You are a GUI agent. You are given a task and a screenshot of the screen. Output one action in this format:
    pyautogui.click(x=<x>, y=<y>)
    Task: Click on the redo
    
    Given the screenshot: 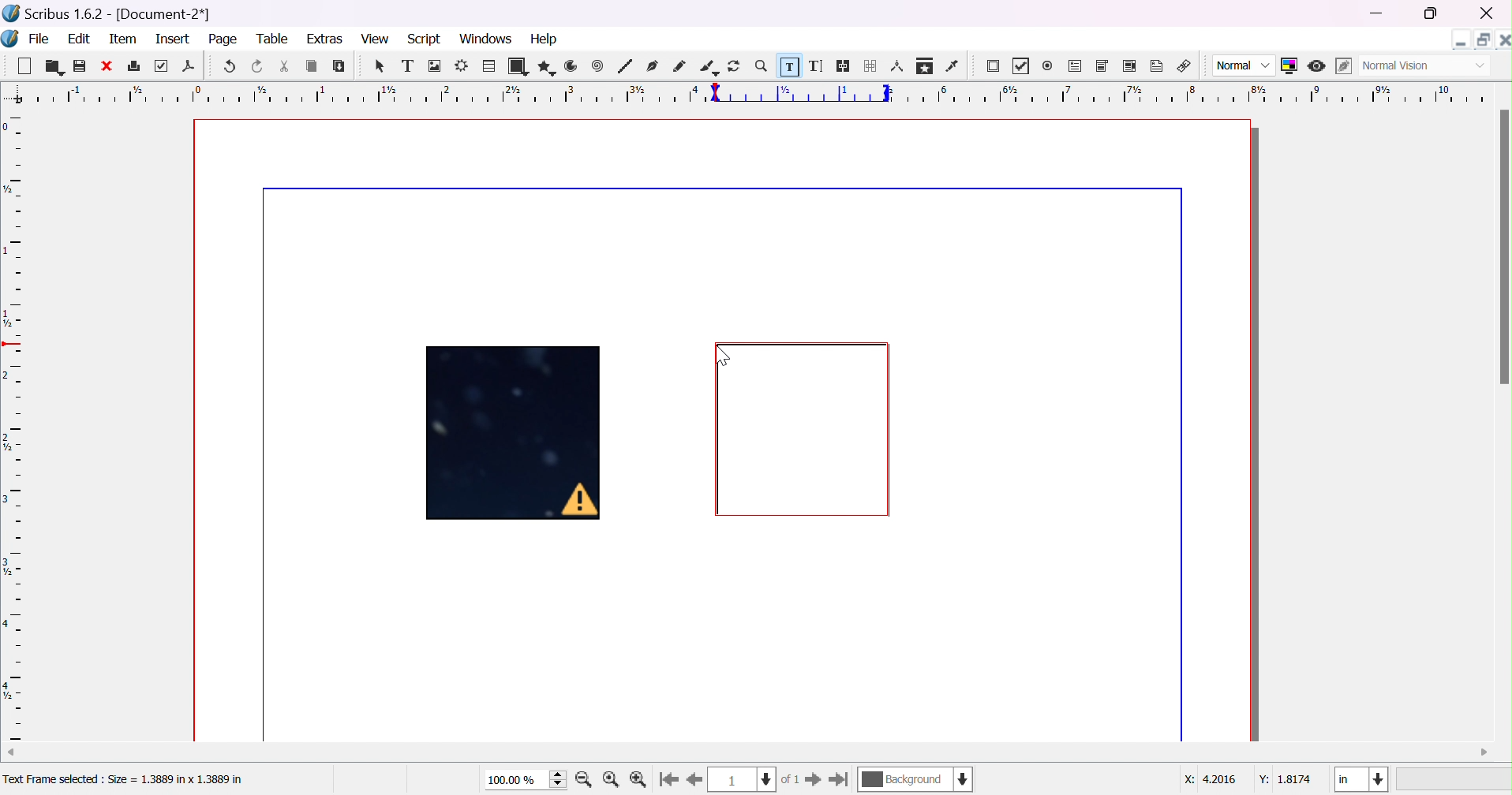 What is the action you would take?
    pyautogui.click(x=258, y=66)
    